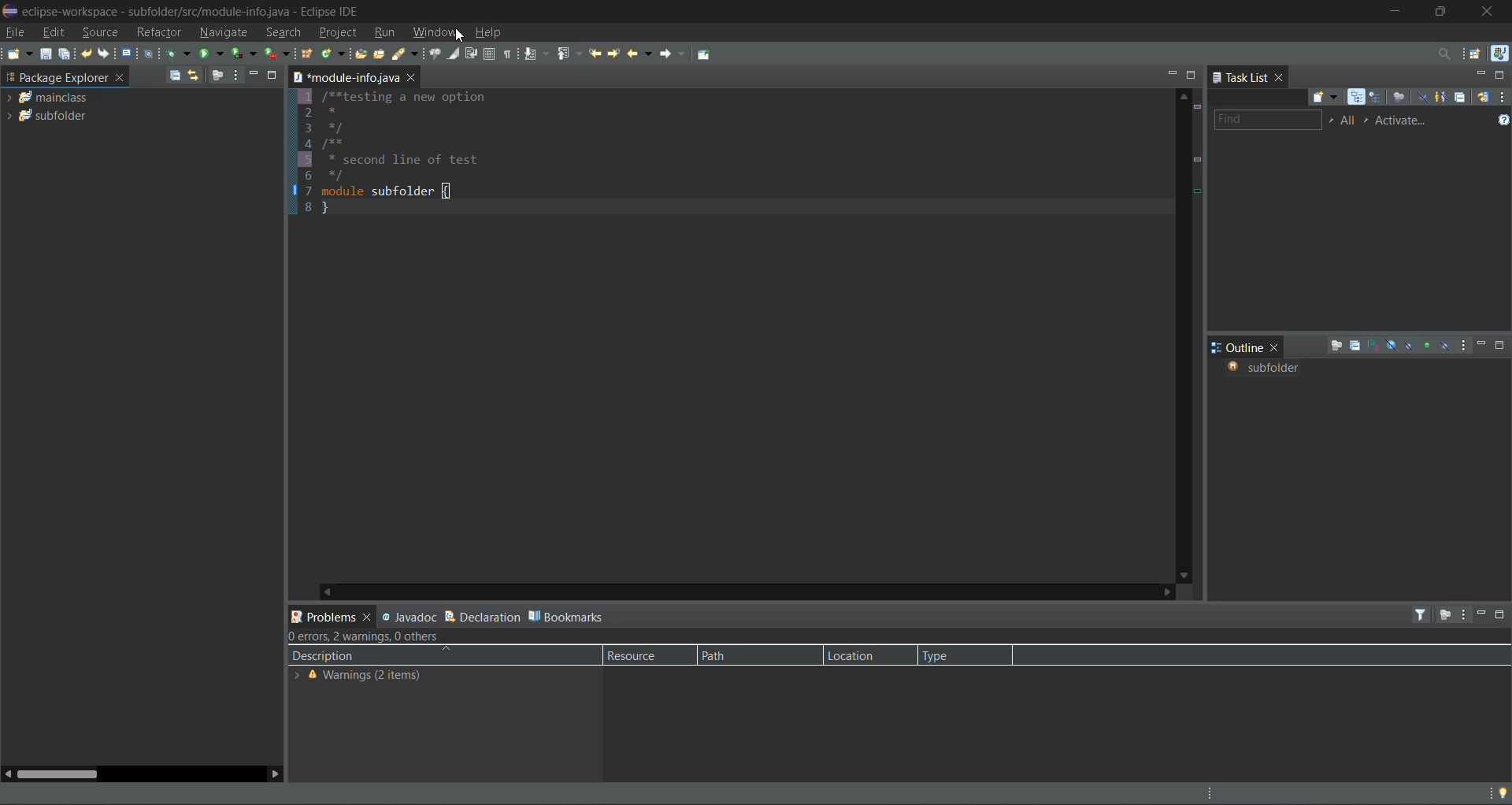 The image size is (1512, 805). I want to click on new java class, so click(332, 52).